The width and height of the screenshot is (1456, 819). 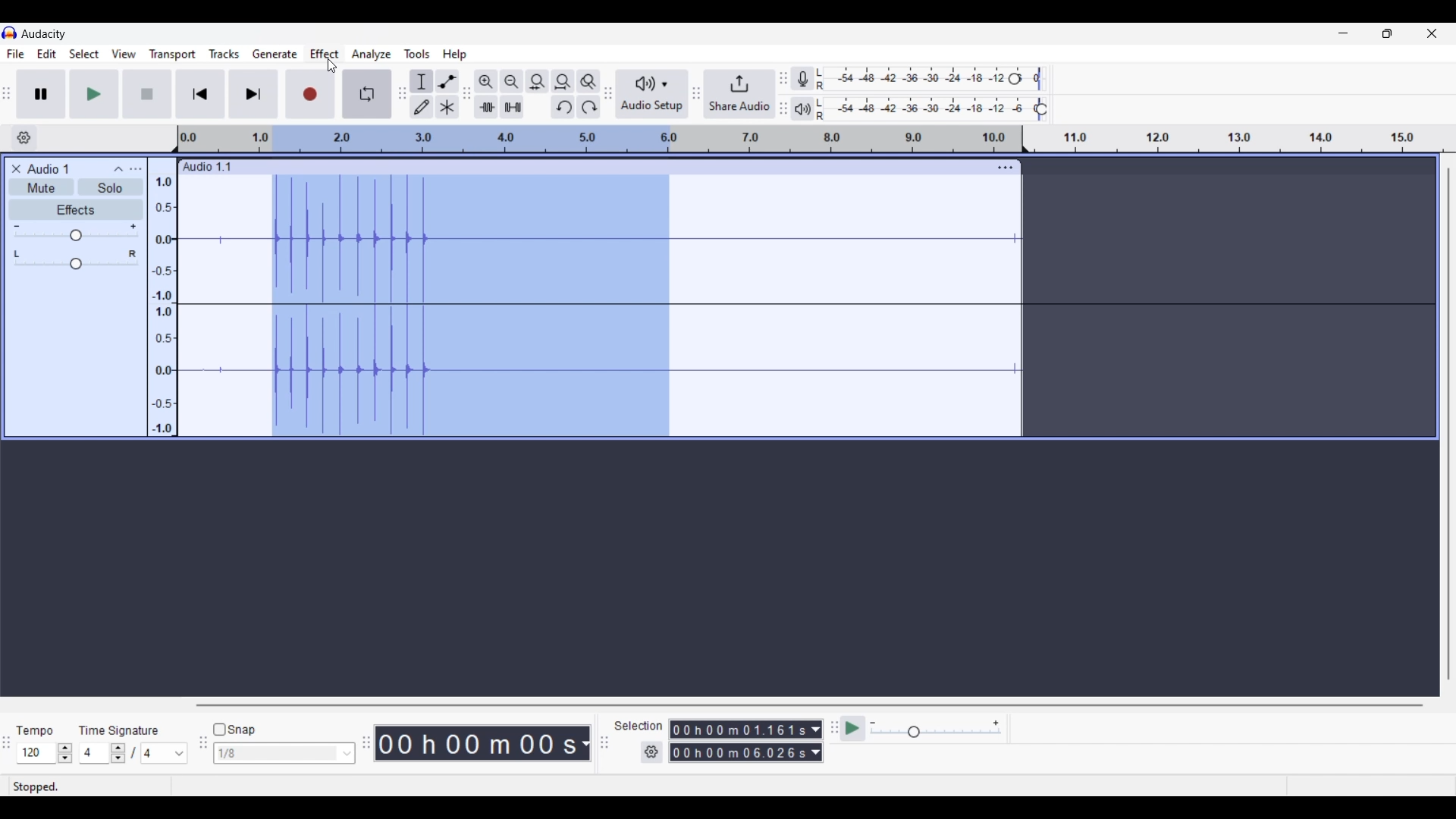 I want to click on Status of recording, so click(x=89, y=786).